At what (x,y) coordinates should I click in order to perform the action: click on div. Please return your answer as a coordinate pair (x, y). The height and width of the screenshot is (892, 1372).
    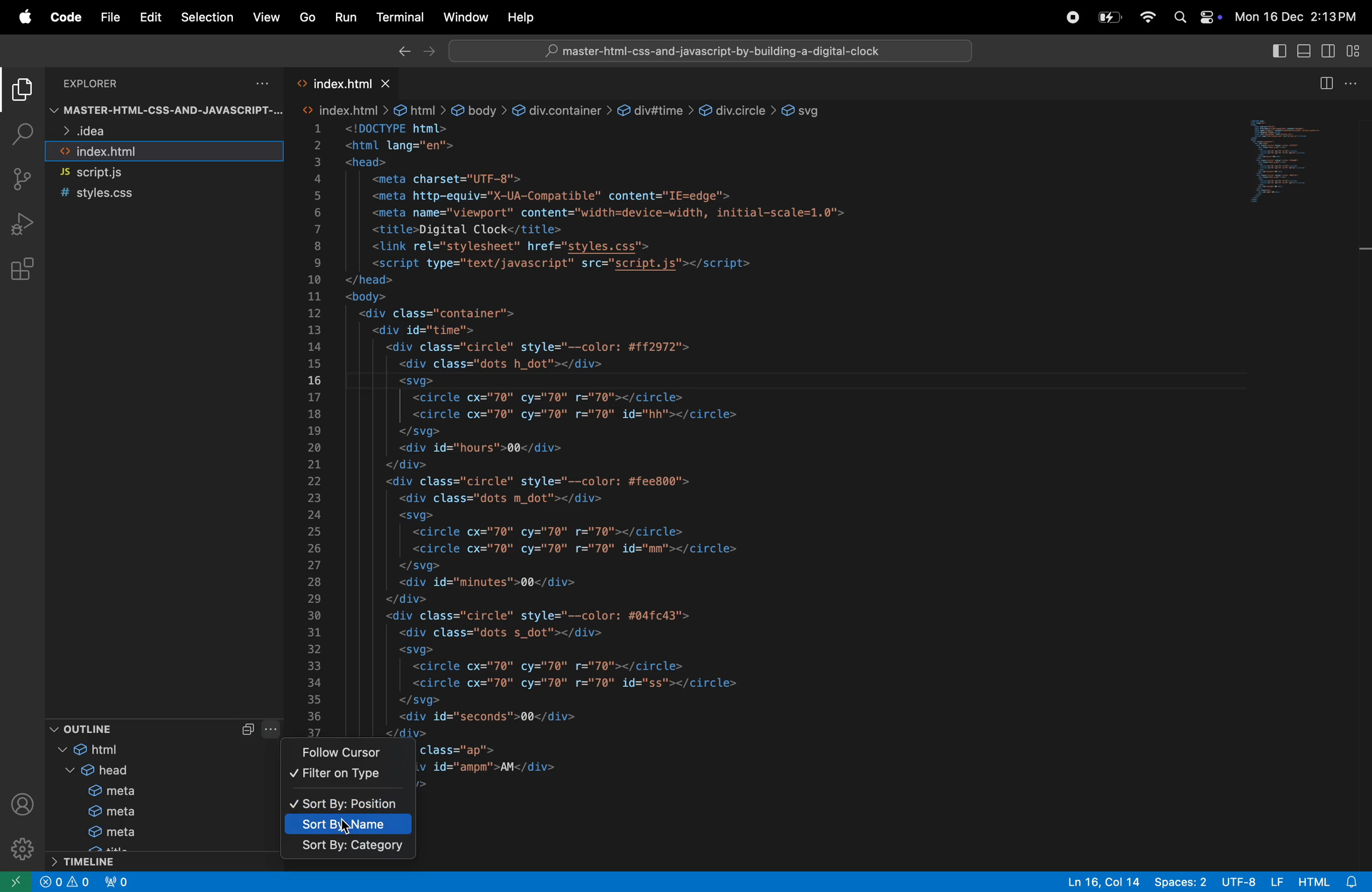
    Looking at the image, I should click on (655, 111).